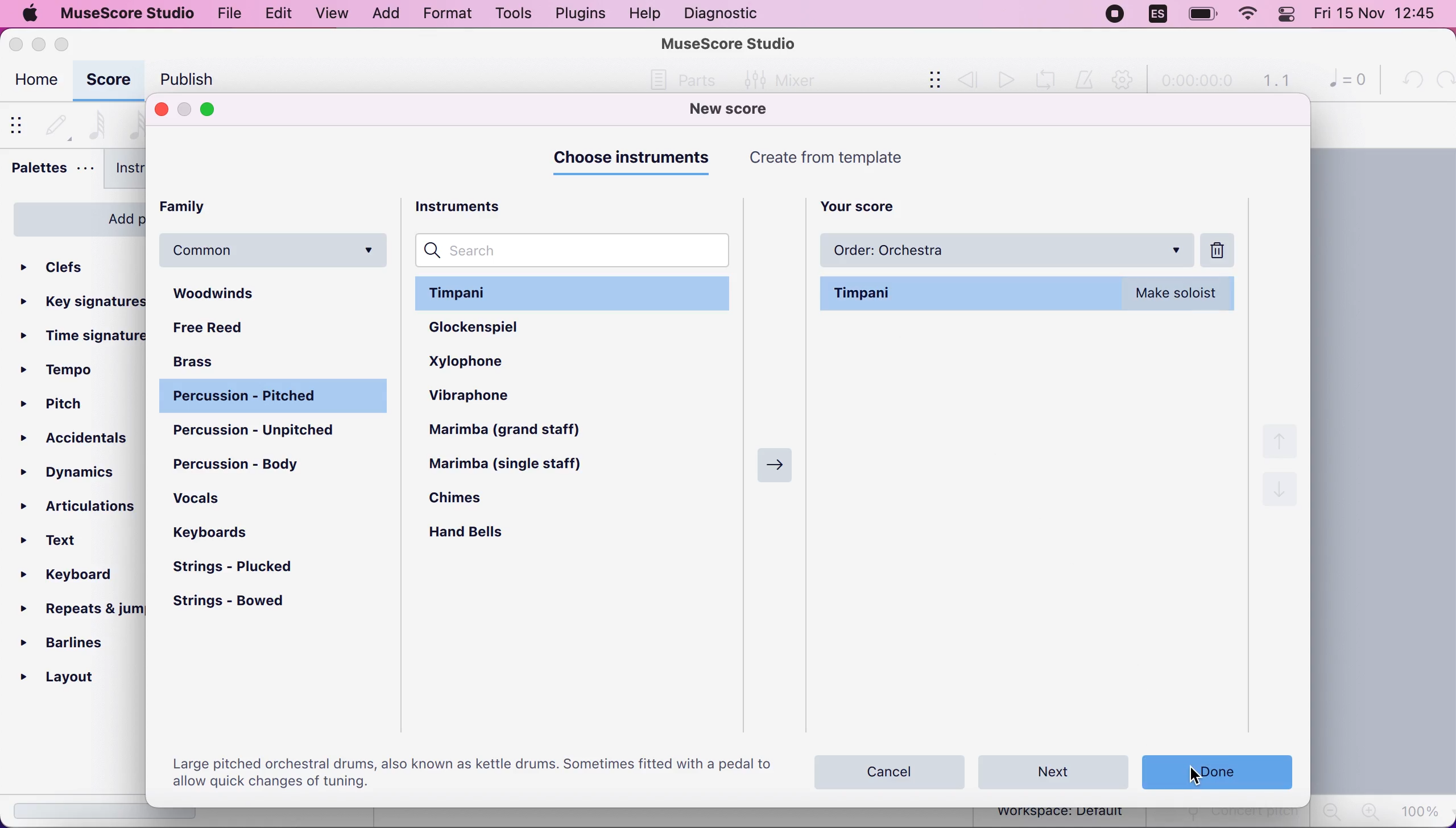 This screenshot has width=1456, height=828. Describe the element at coordinates (744, 110) in the screenshot. I see `new score` at that location.